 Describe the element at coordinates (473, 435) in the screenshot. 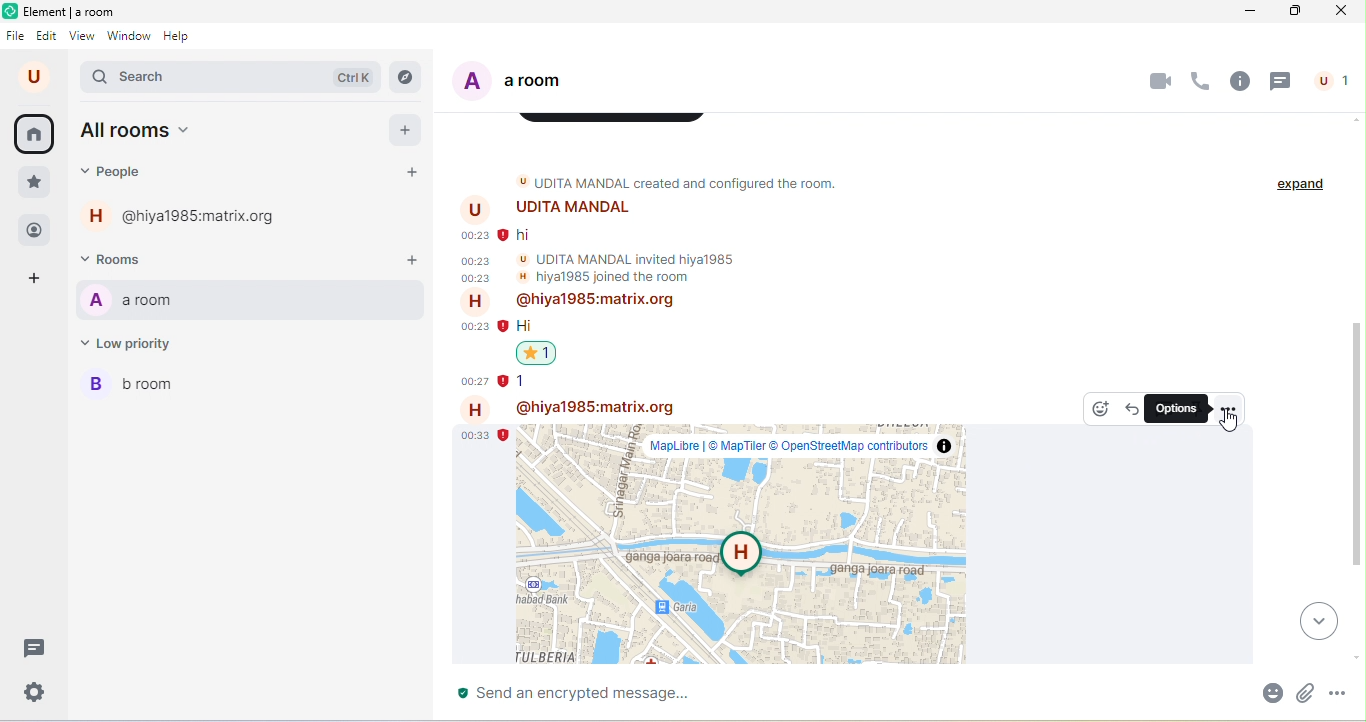

I see `Timestamp of texts` at that location.